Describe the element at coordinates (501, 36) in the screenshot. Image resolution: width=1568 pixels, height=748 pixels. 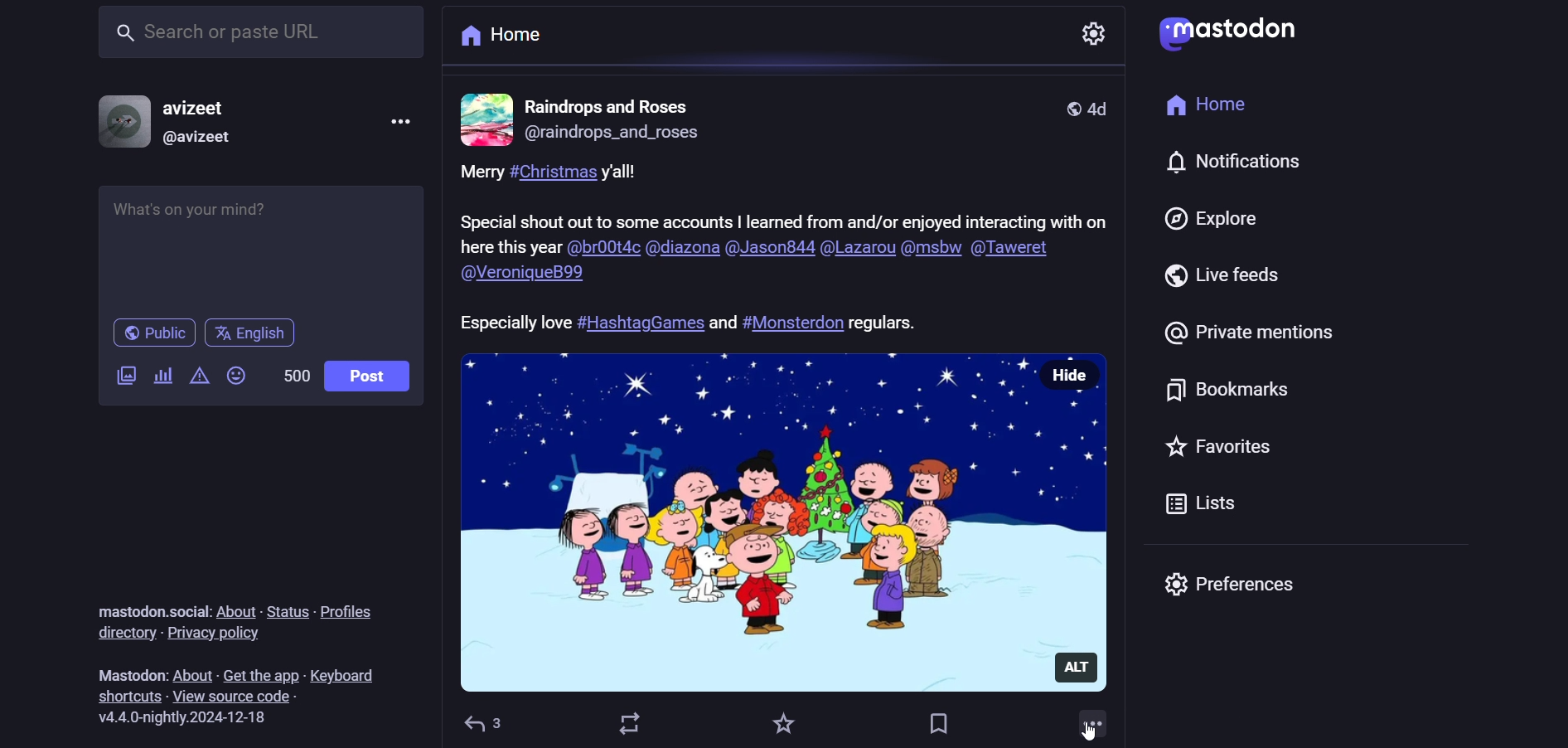
I see `home` at that location.